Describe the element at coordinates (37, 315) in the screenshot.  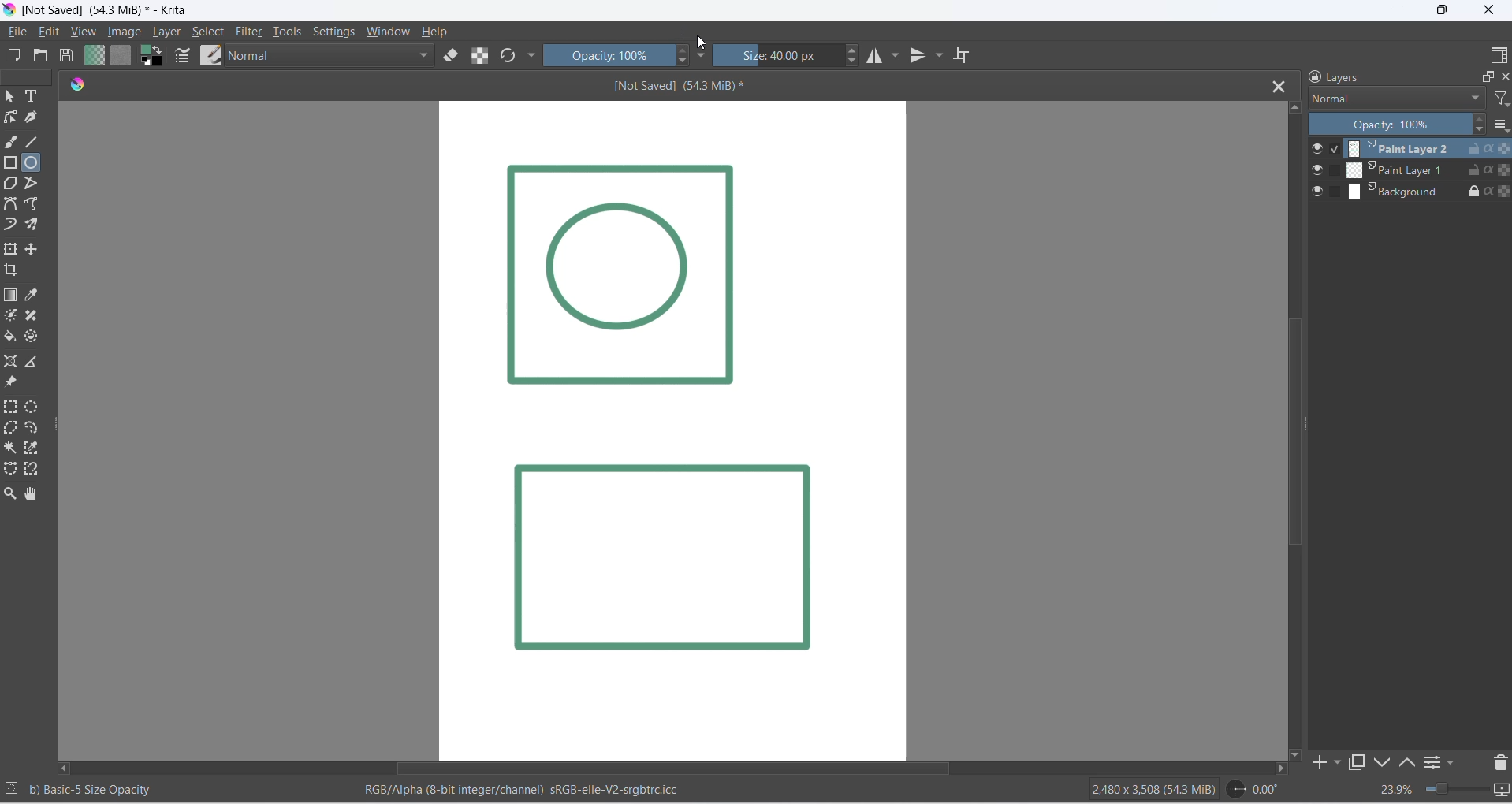
I see `patch tool` at that location.